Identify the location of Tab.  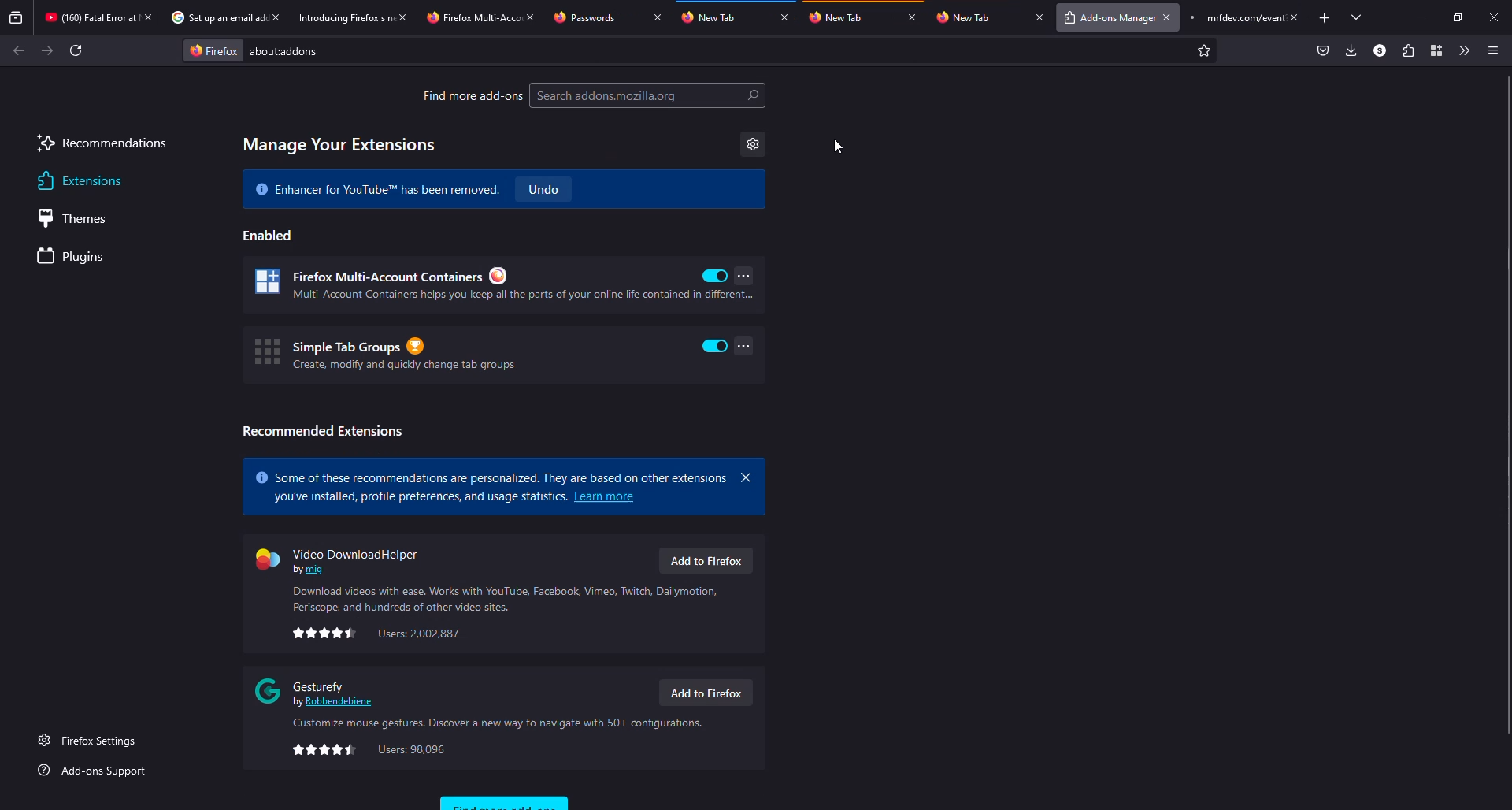
(215, 17).